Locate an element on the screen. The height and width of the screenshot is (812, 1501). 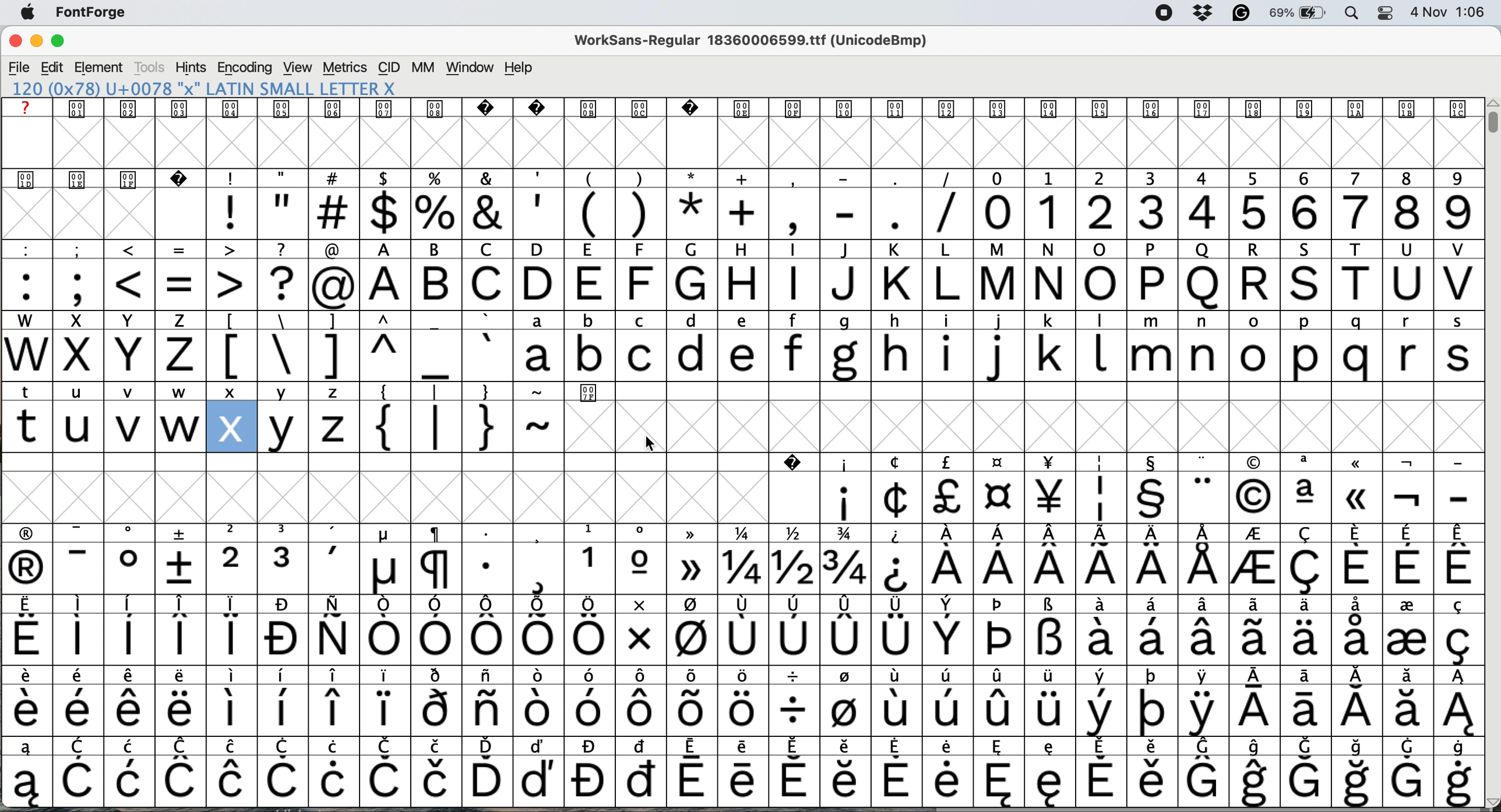
special characters and text is located at coordinates (738, 249).